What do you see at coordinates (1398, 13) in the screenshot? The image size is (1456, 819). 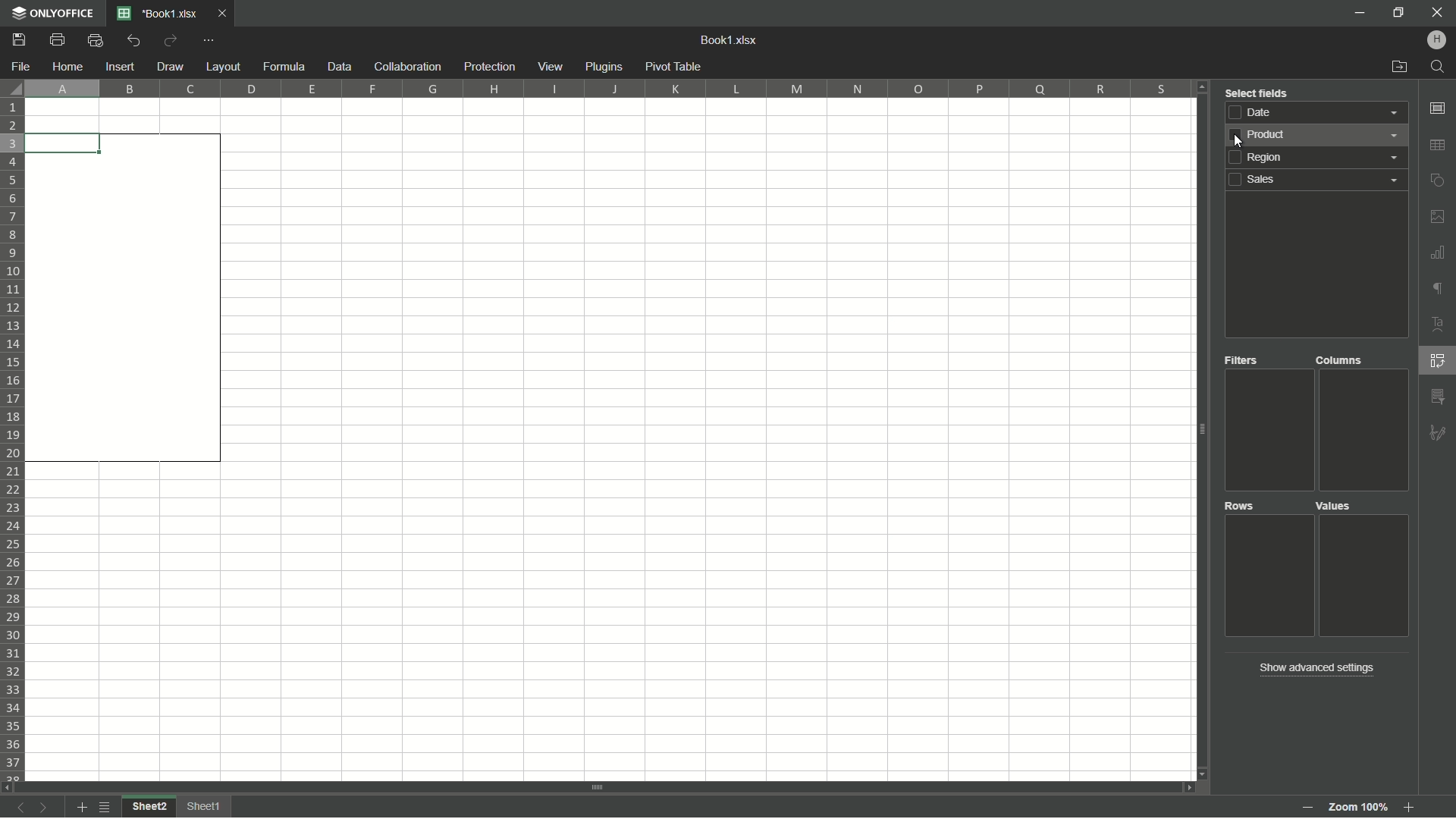 I see `minimize/maximize` at bounding box center [1398, 13].